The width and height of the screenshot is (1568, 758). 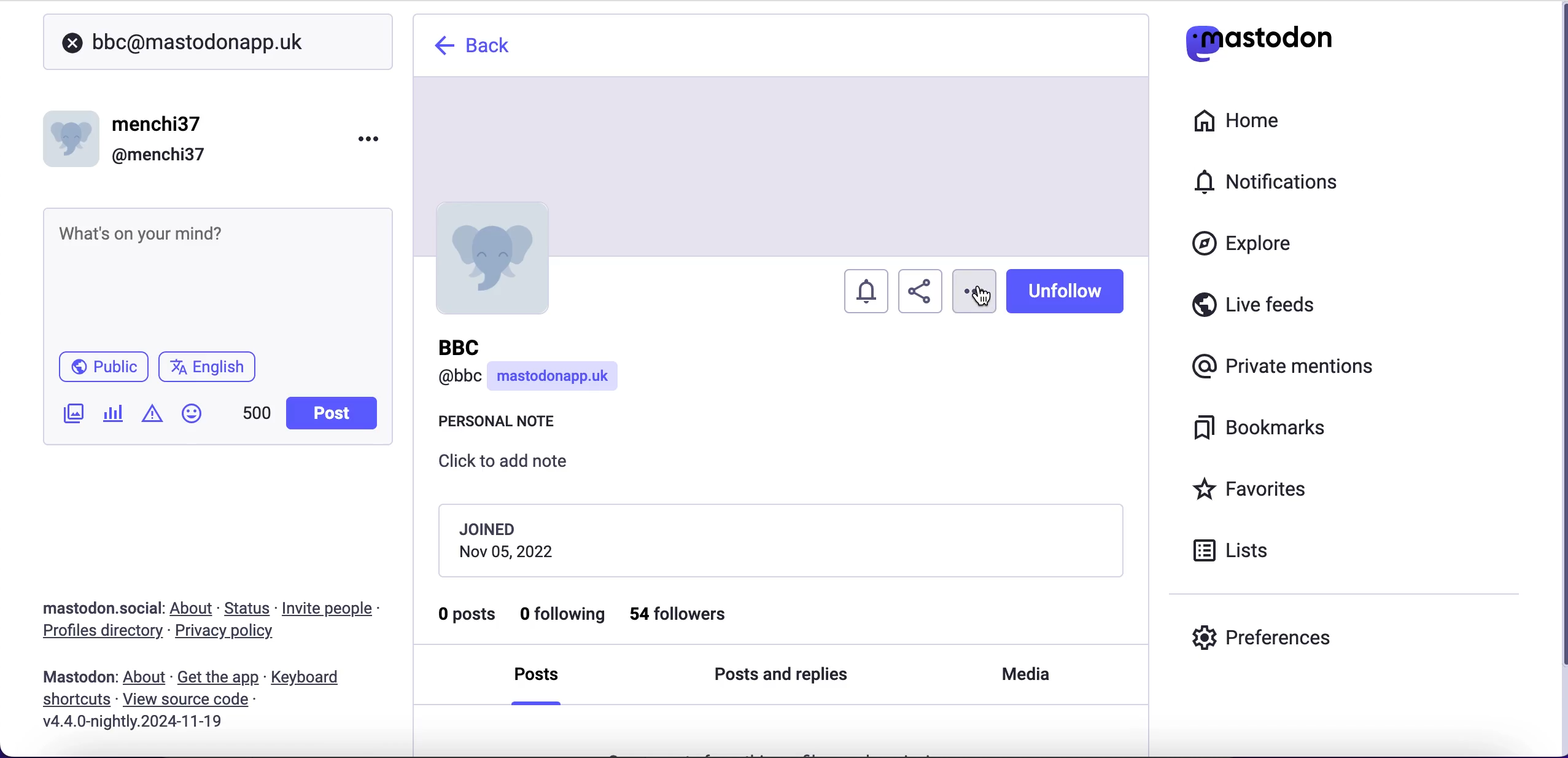 What do you see at coordinates (1238, 549) in the screenshot?
I see `lists` at bounding box center [1238, 549].